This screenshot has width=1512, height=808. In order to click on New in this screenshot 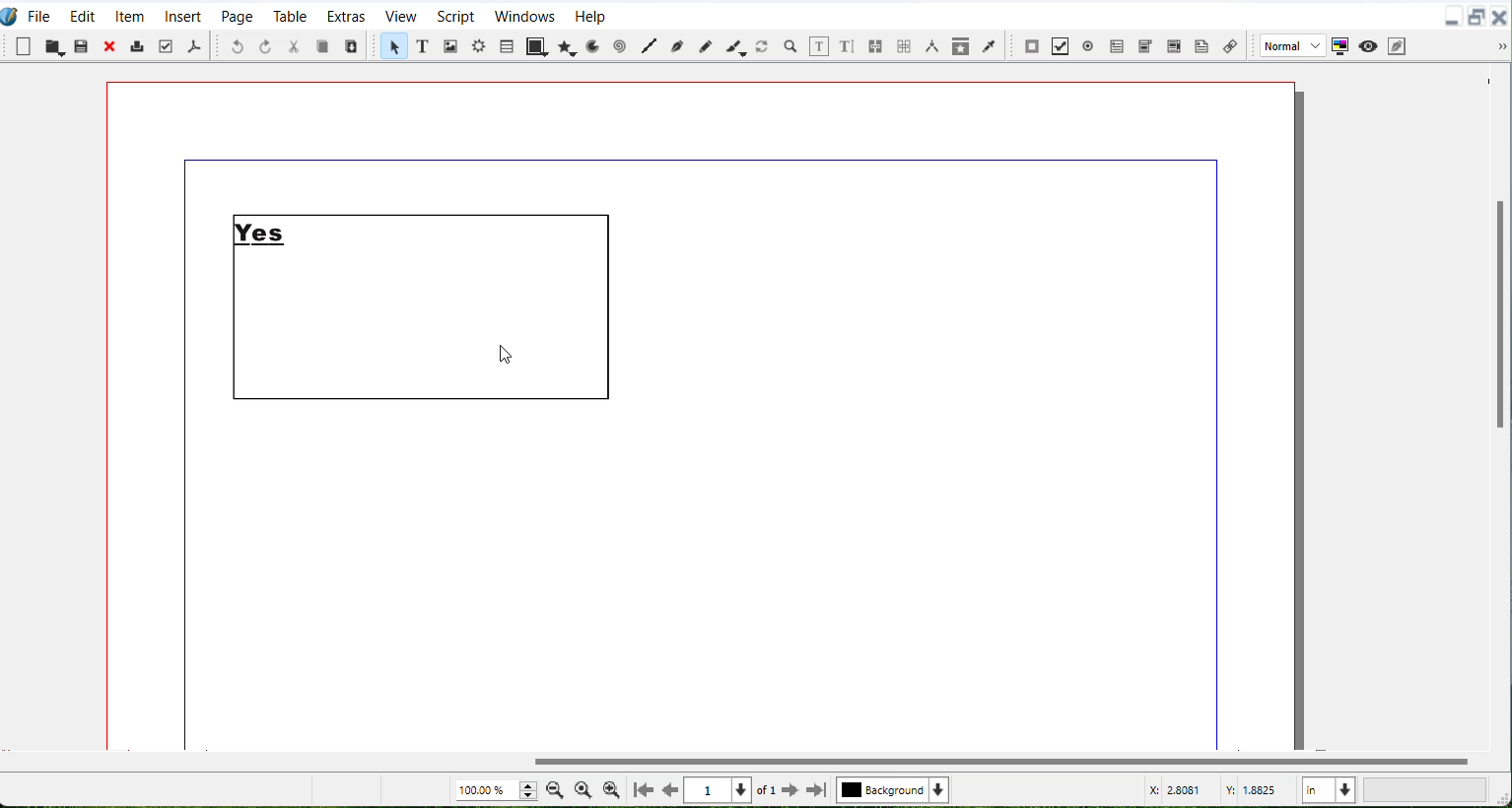, I will do `click(24, 46)`.